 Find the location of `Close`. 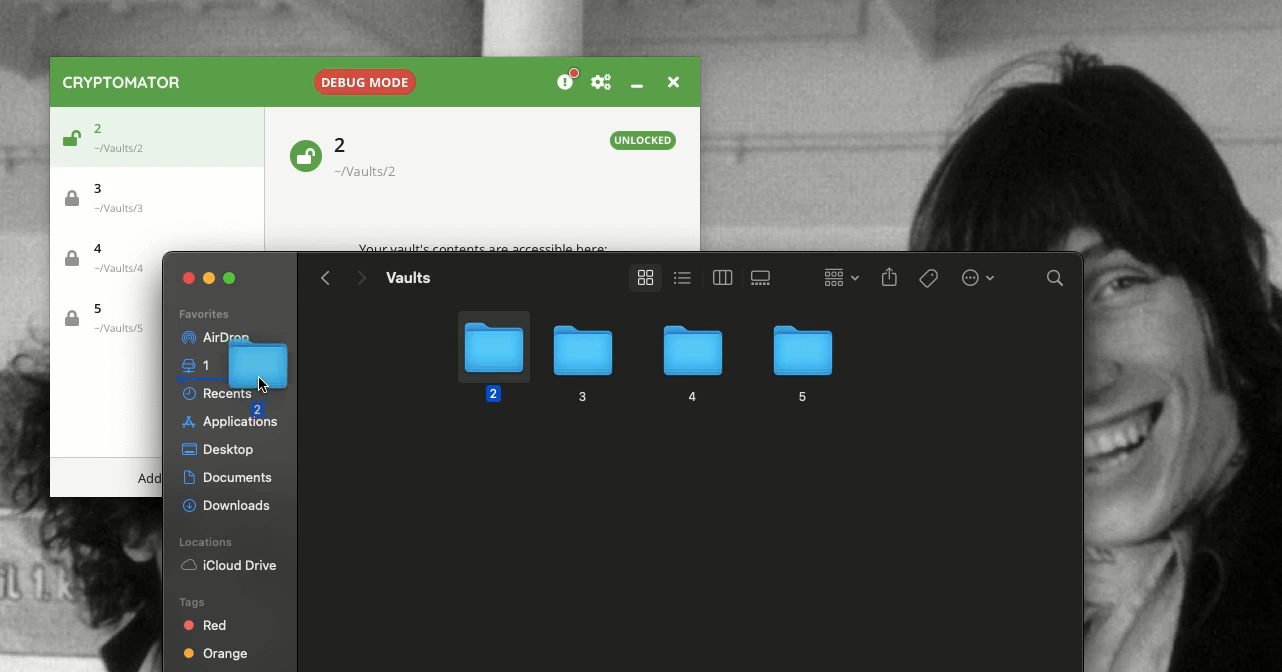

Close is located at coordinates (671, 80).